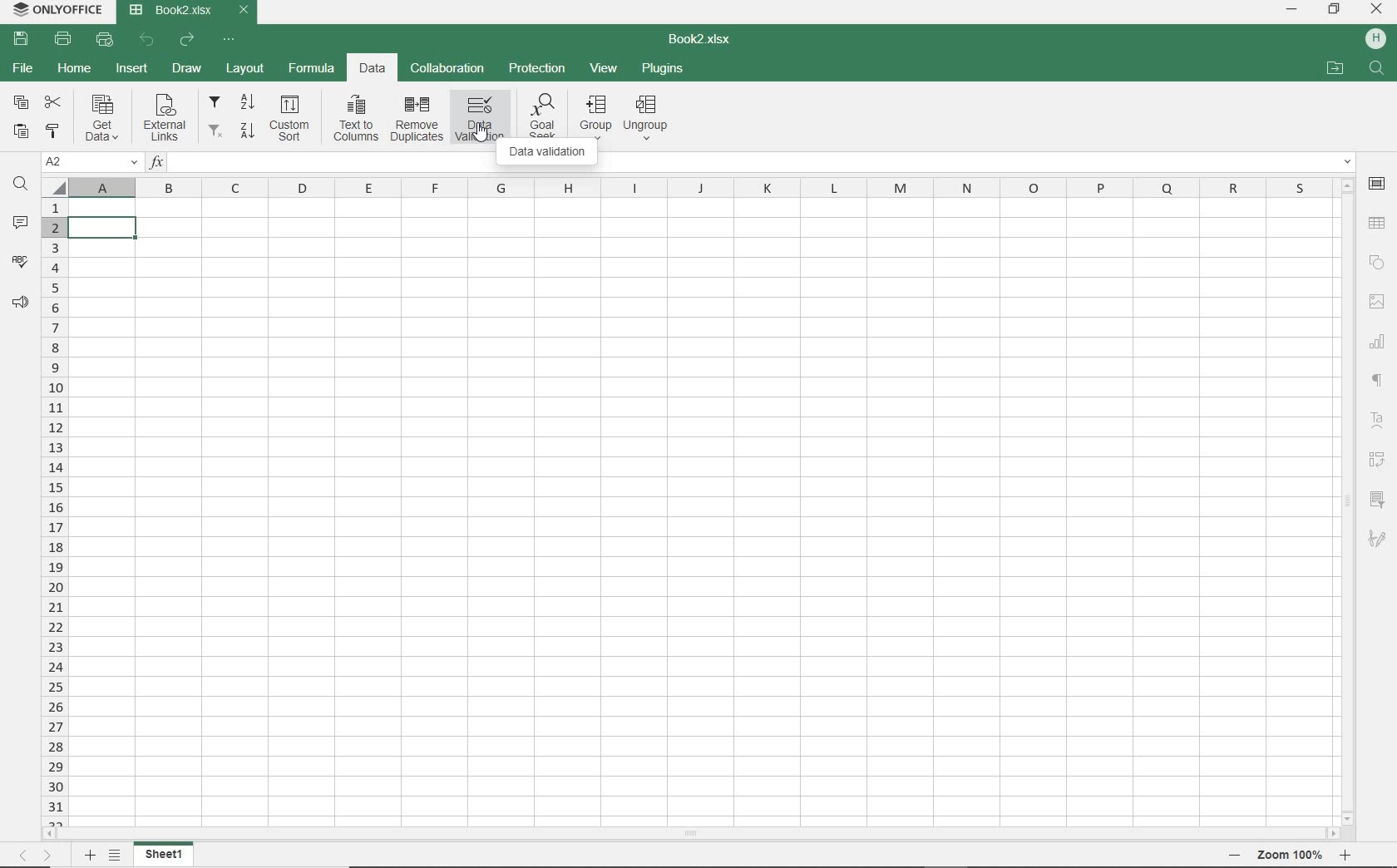 The height and width of the screenshot is (868, 1397). What do you see at coordinates (173, 11) in the screenshot?
I see `DOCUMENT Name` at bounding box center [173, 11].